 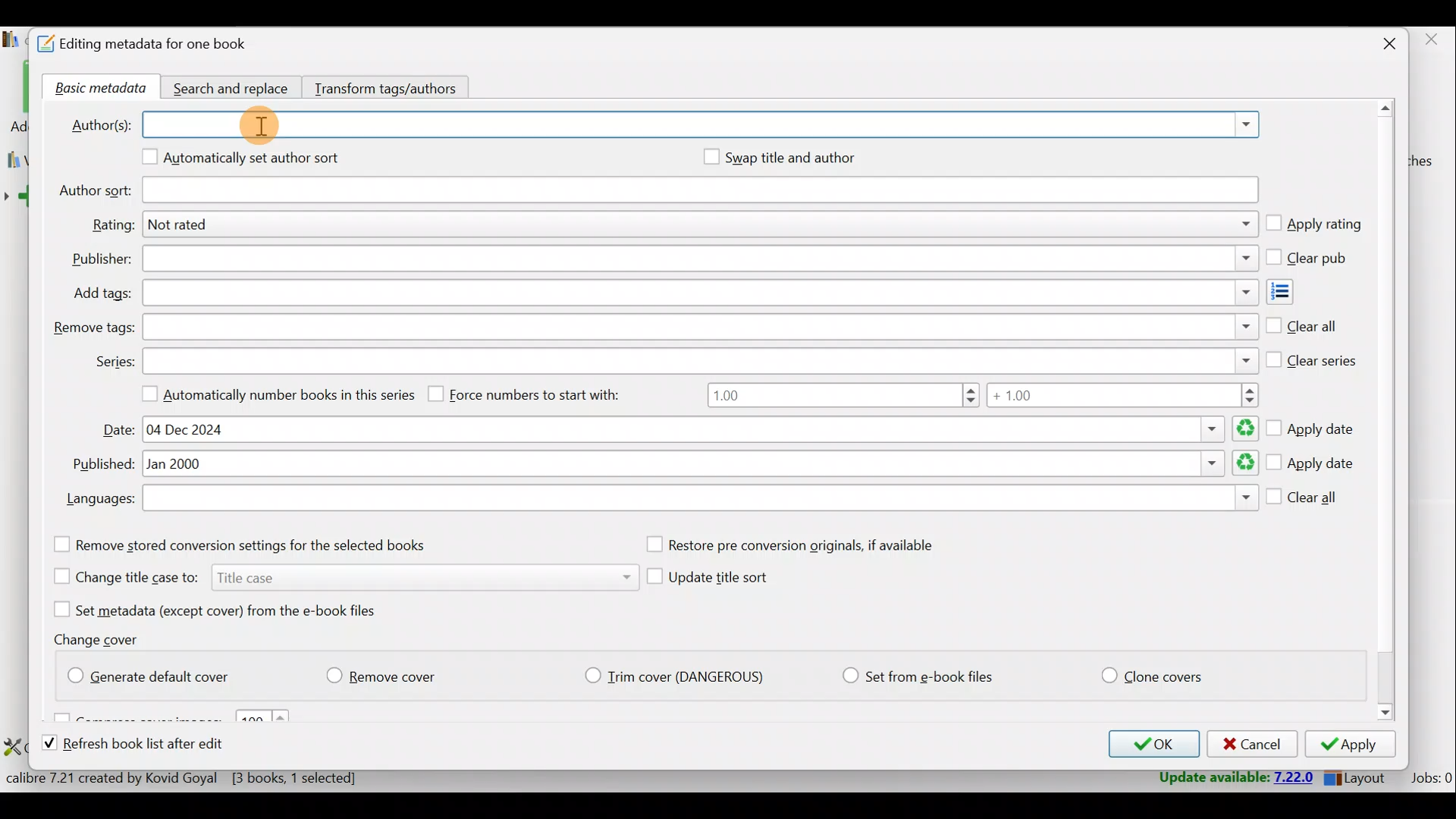 I want to click on Editing metadata for one book, so click(x=161, y=45).